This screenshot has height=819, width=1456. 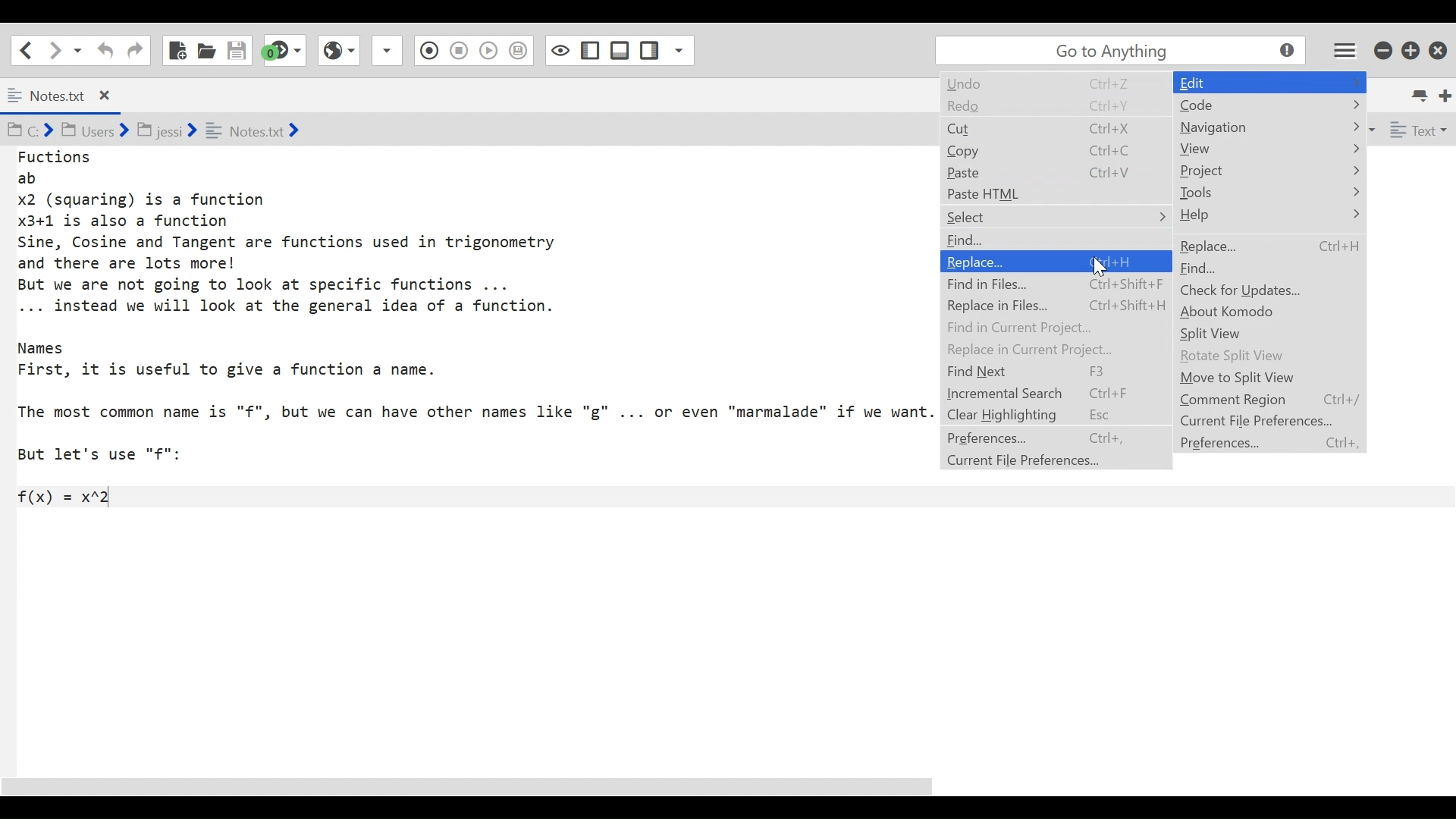 What do you see at coordinates (1055, 306) in the screenshot?
I see `Replace in Files` at bounding box center [1055, 306].